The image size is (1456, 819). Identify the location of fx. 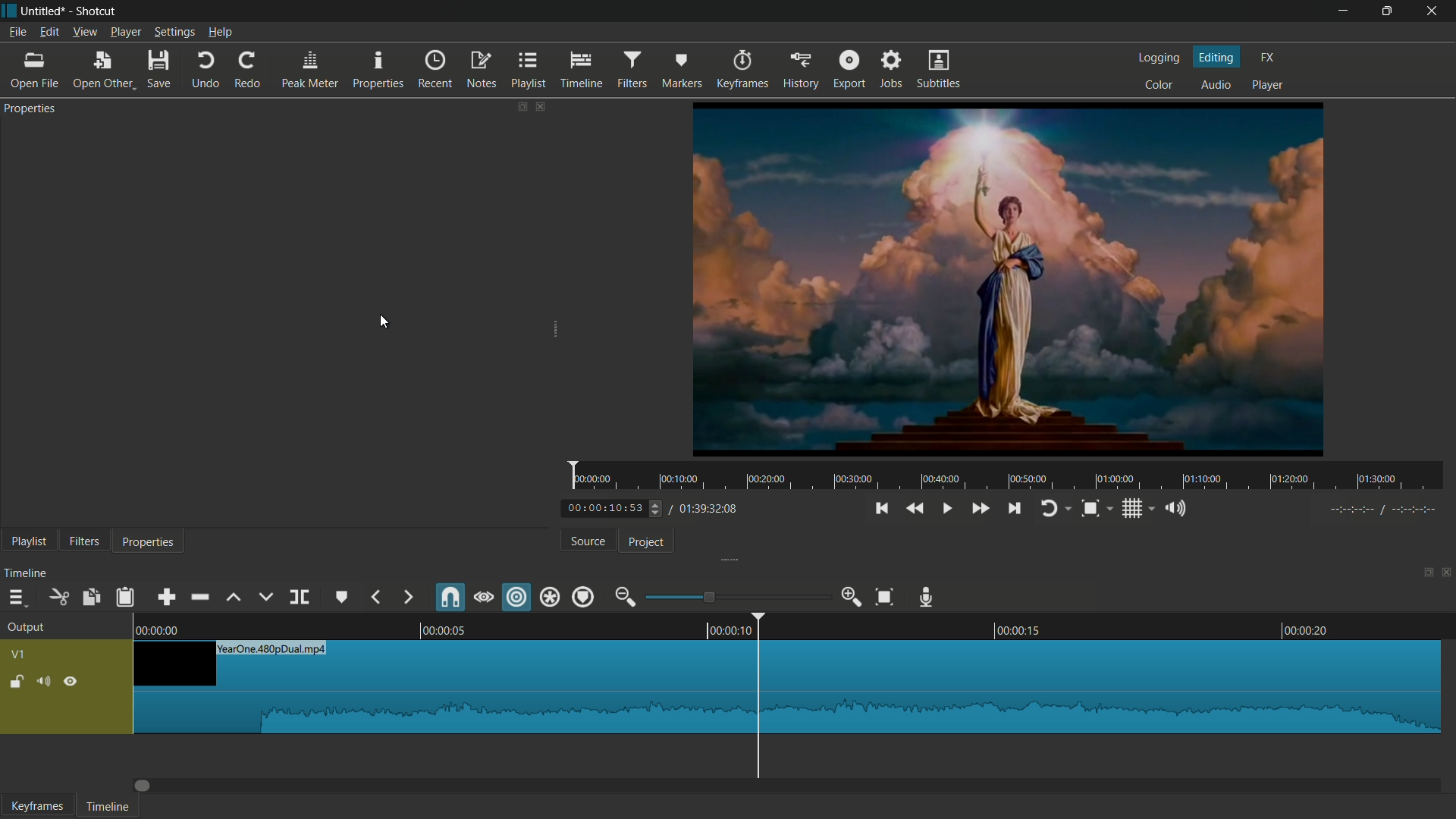
(1268, 58).